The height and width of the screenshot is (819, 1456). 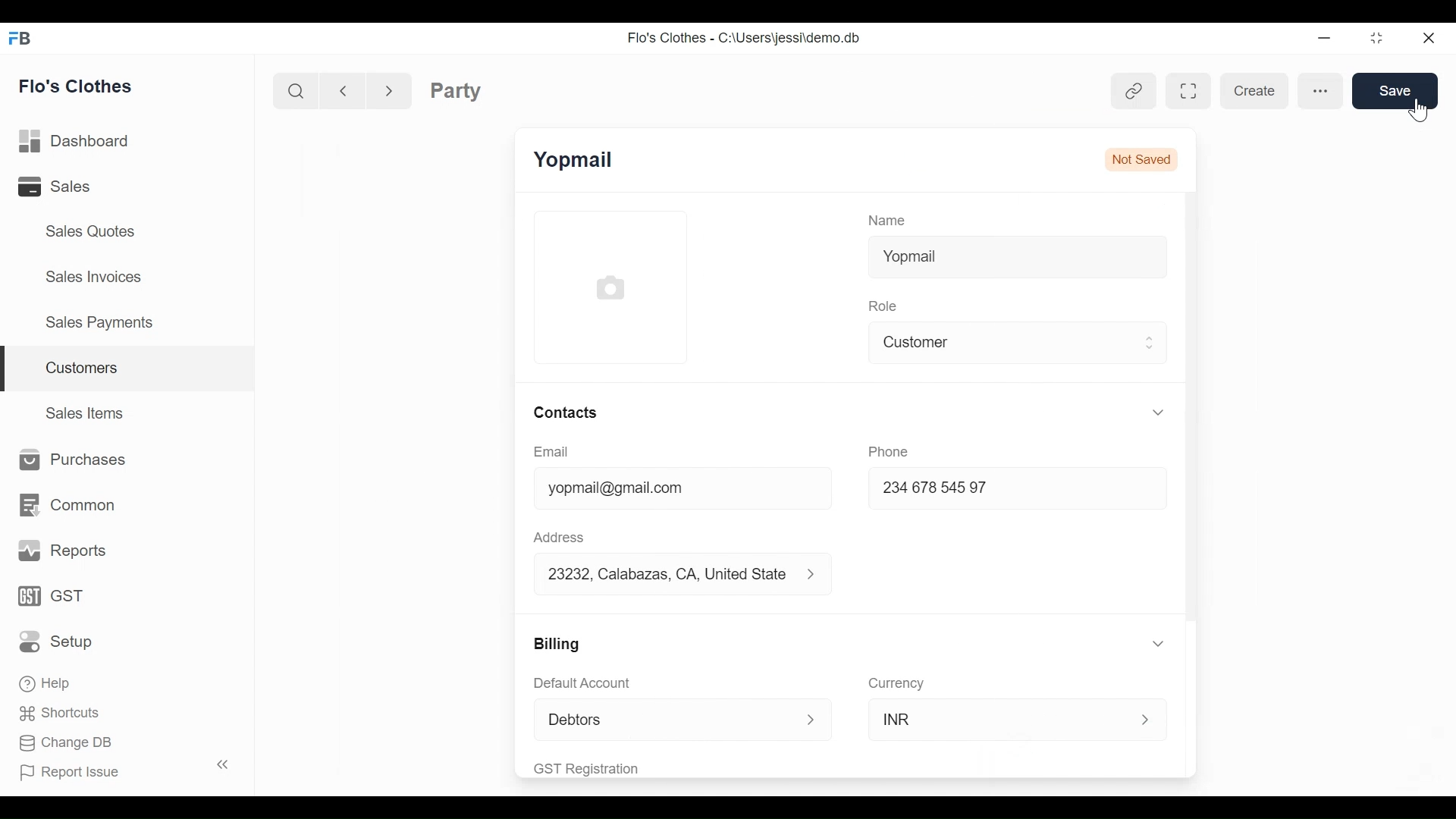 I want to click on GST, so click(x=53, y=598).